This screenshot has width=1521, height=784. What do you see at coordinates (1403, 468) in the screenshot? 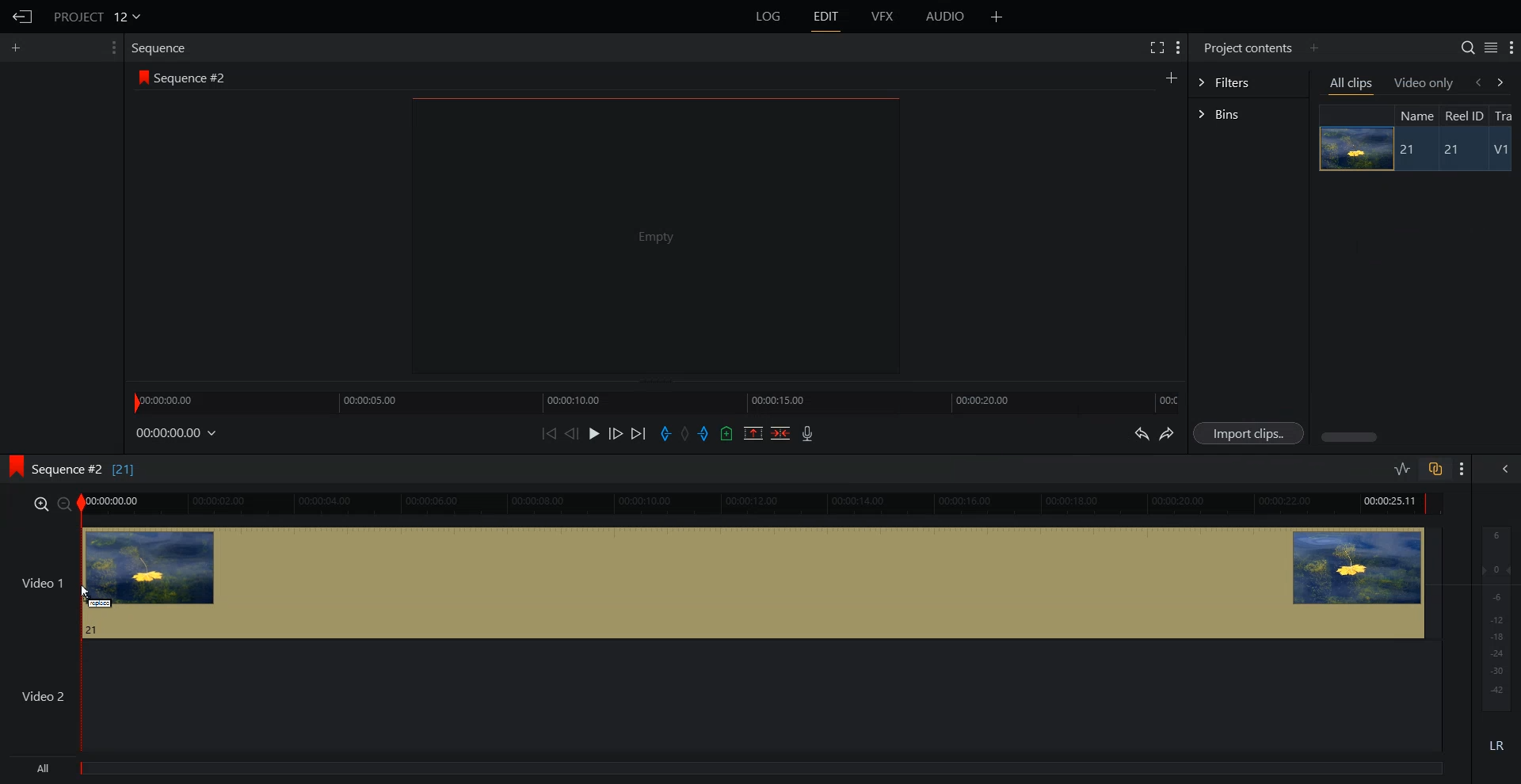
I see `Toggle audio level editing` at bounding box center [1403, 468].